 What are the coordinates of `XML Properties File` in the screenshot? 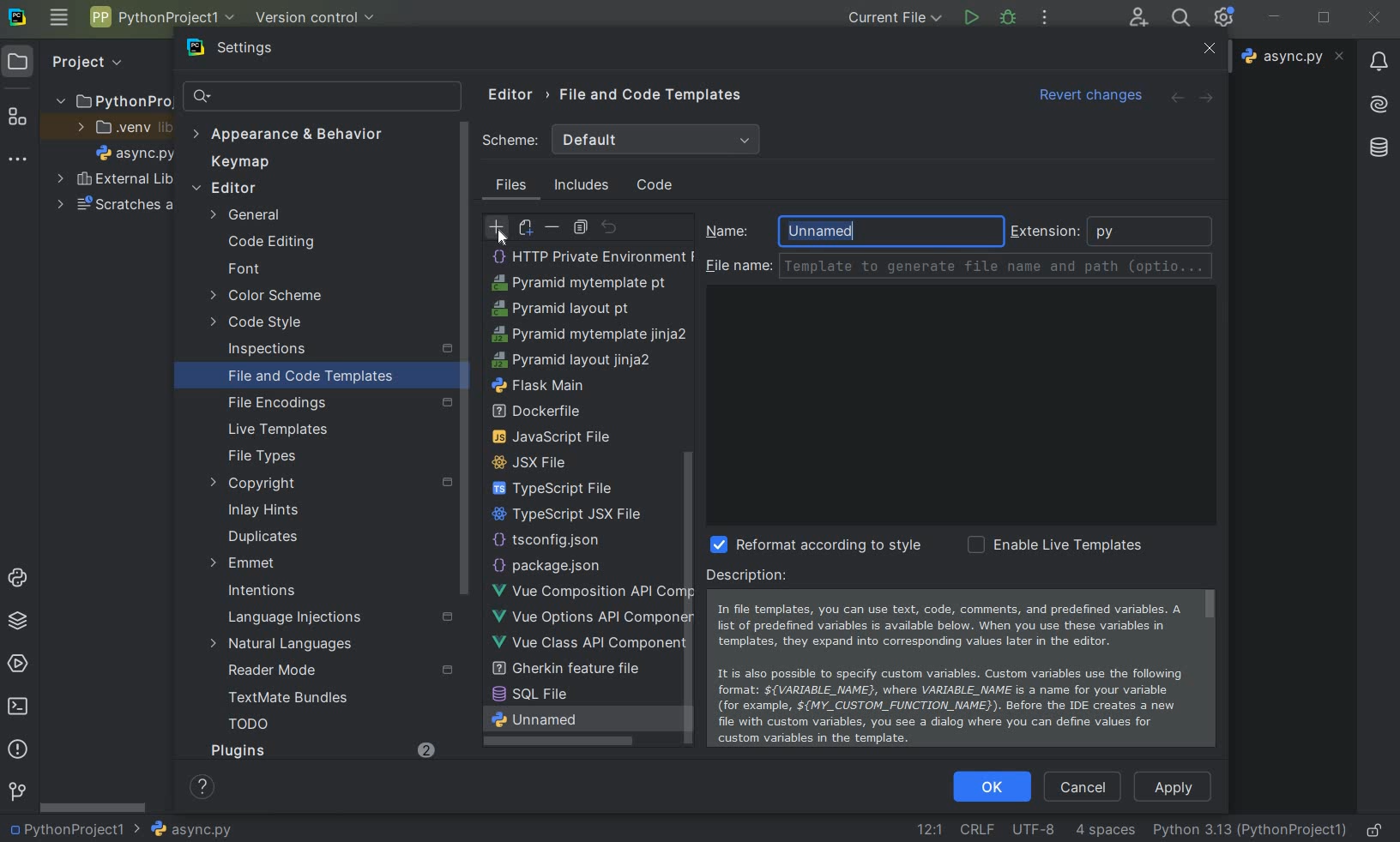 It's located at (569, 510).